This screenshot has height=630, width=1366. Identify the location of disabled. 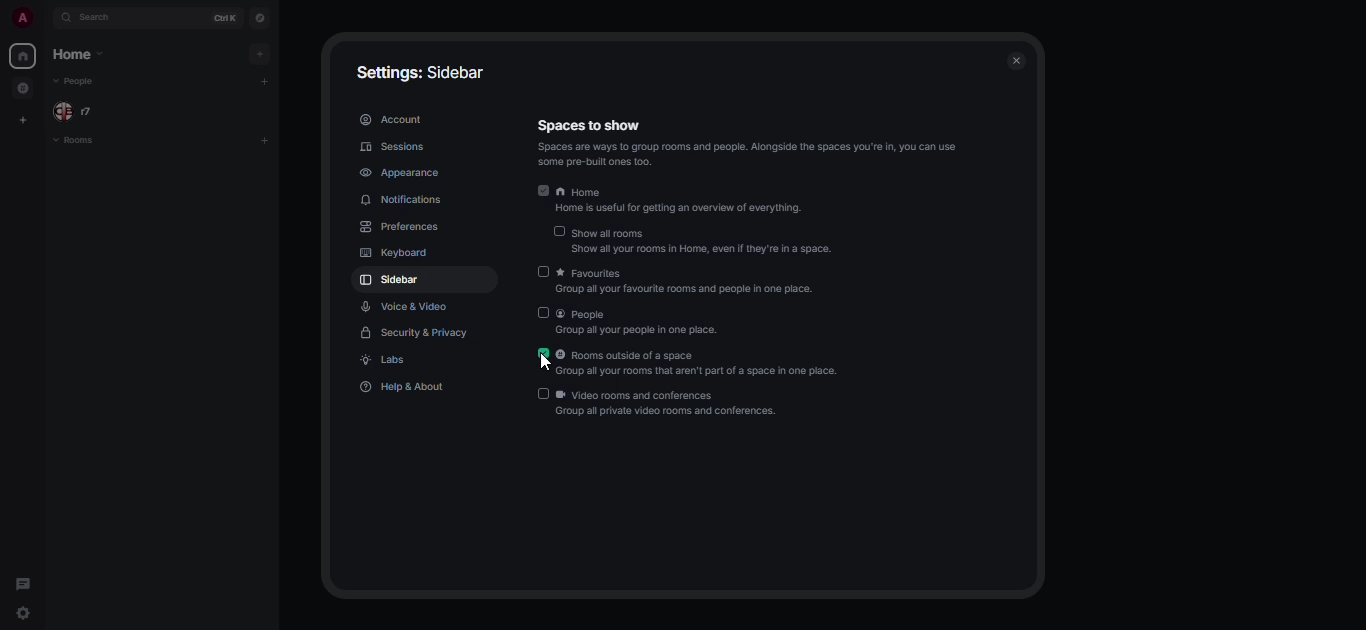
(543, 272).